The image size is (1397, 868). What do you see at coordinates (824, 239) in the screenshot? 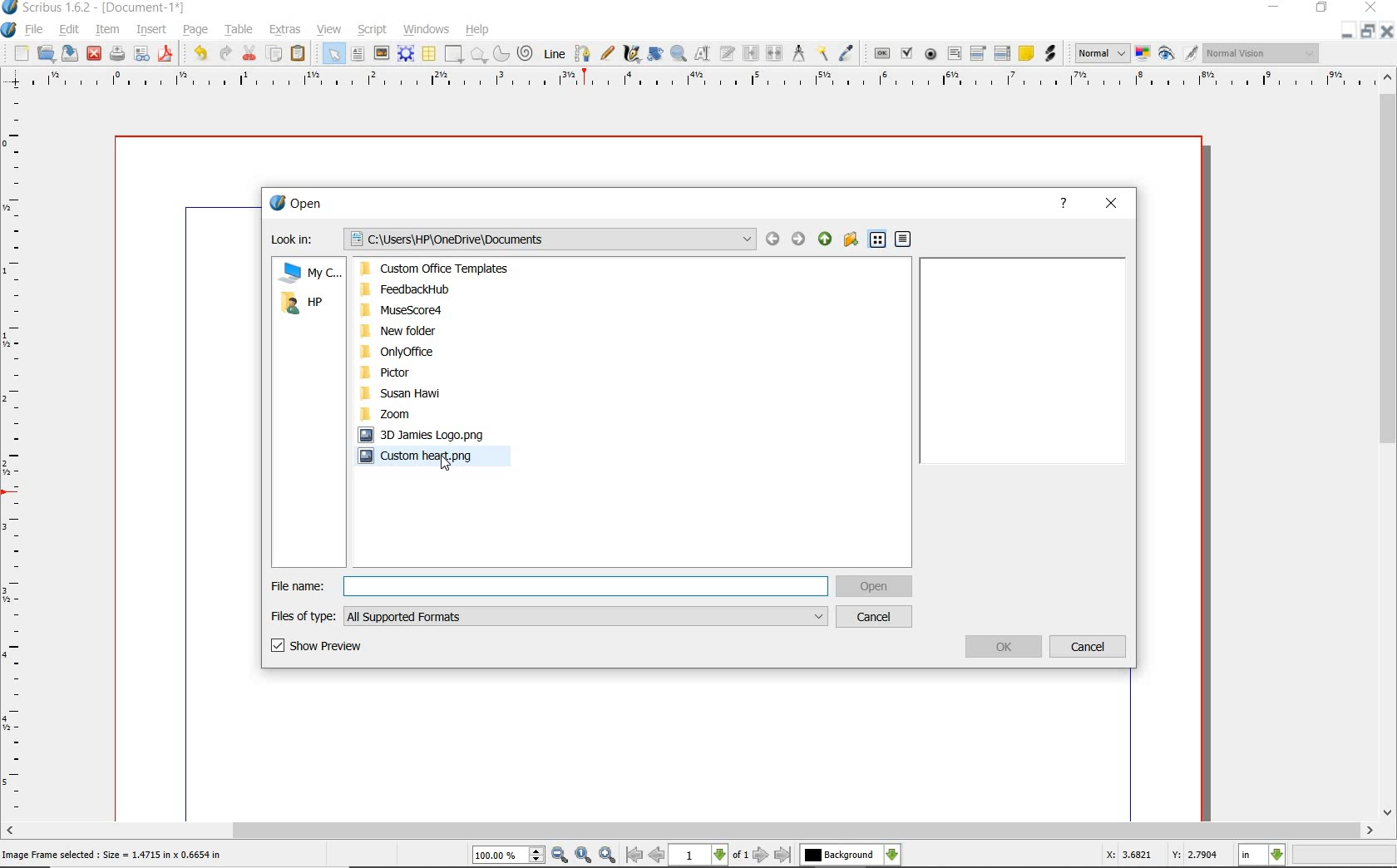
I see `up` at bounding box center [824, 239].